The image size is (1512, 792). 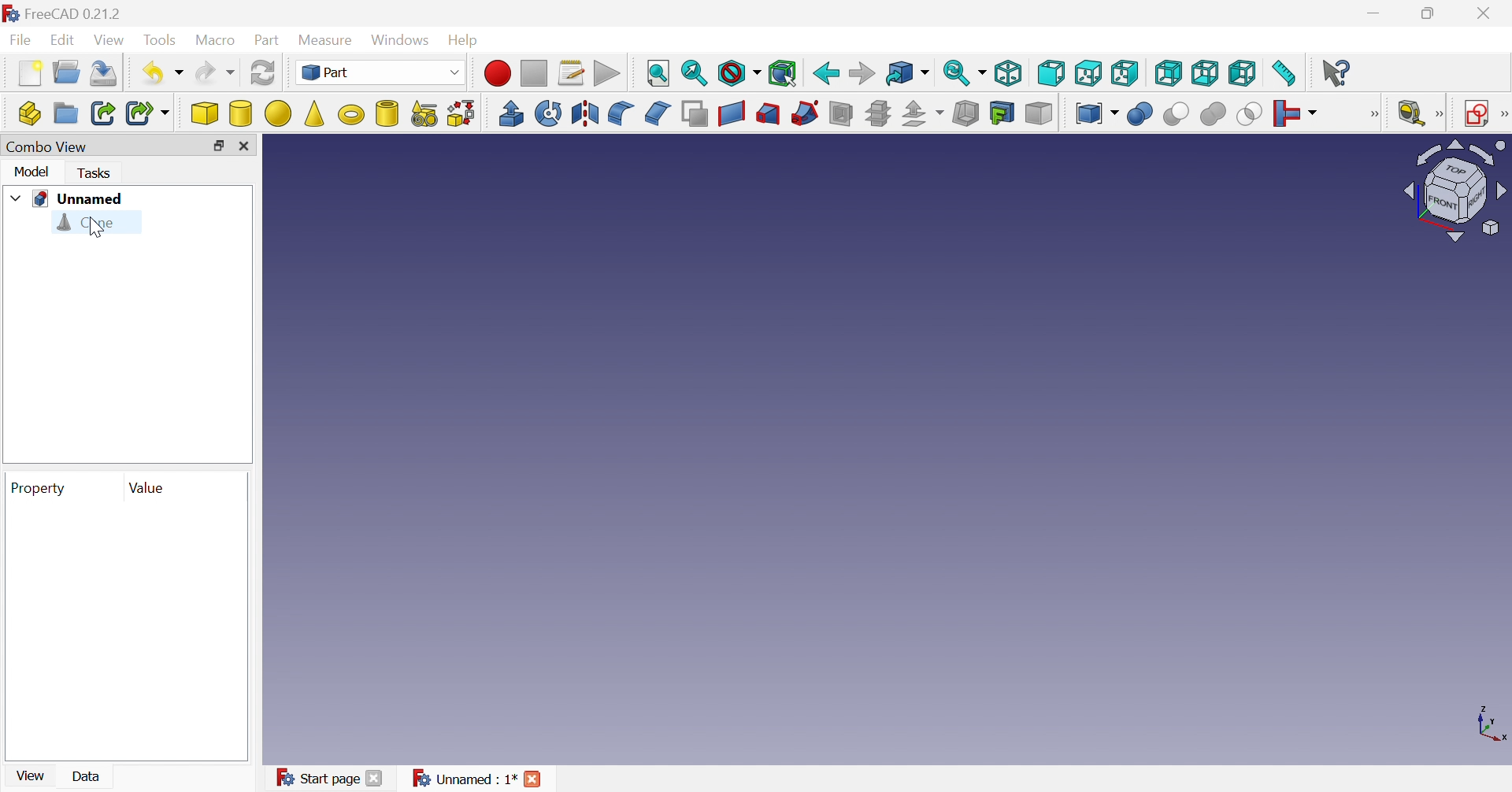 What do you see at coordinates (1003, 114) in the screenshot?
I see `Create projection on surface` at bounding box center [1003, 114].